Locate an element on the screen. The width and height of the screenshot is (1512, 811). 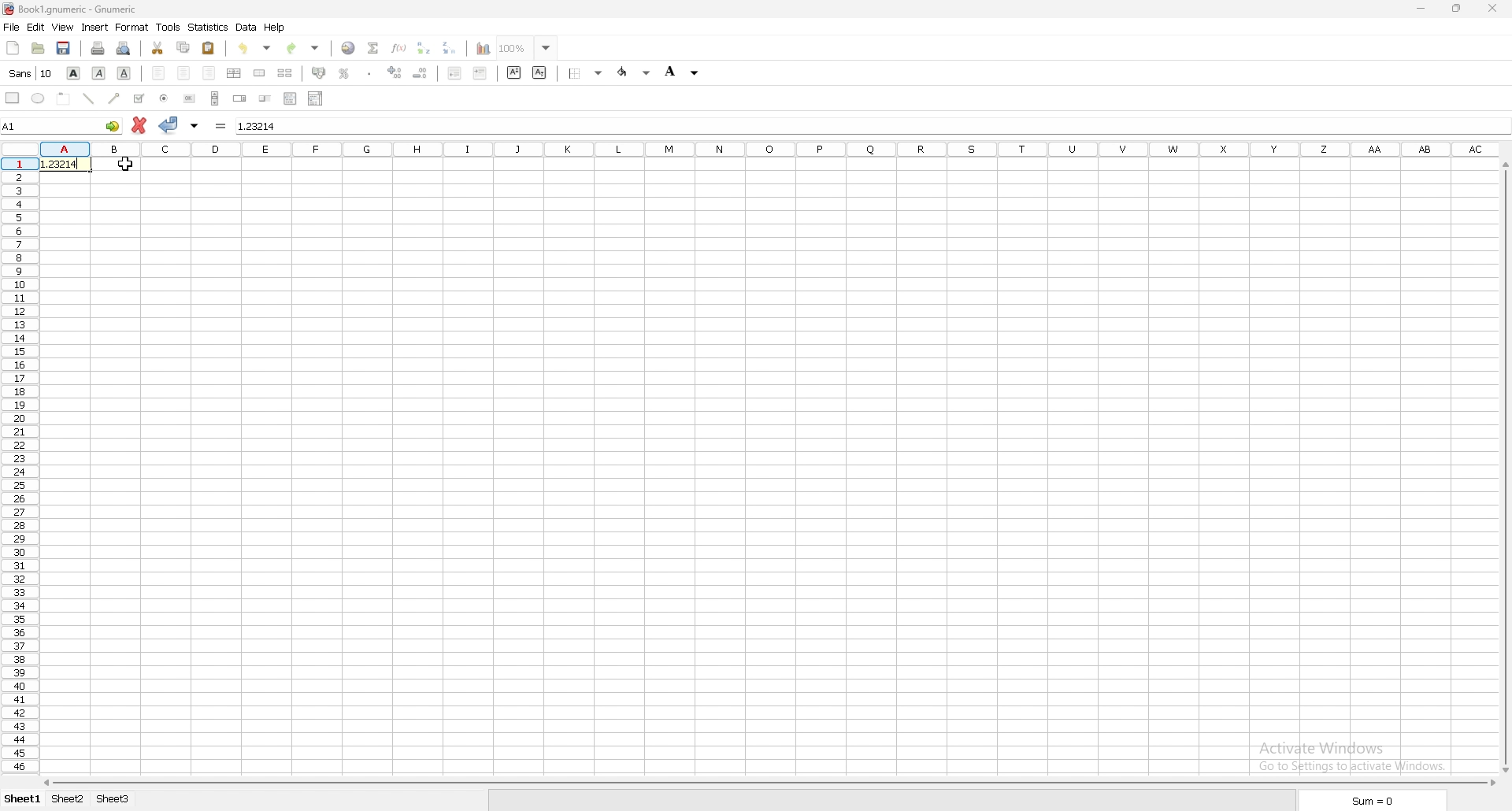
increase decimals is located at coordinates (395, 72).